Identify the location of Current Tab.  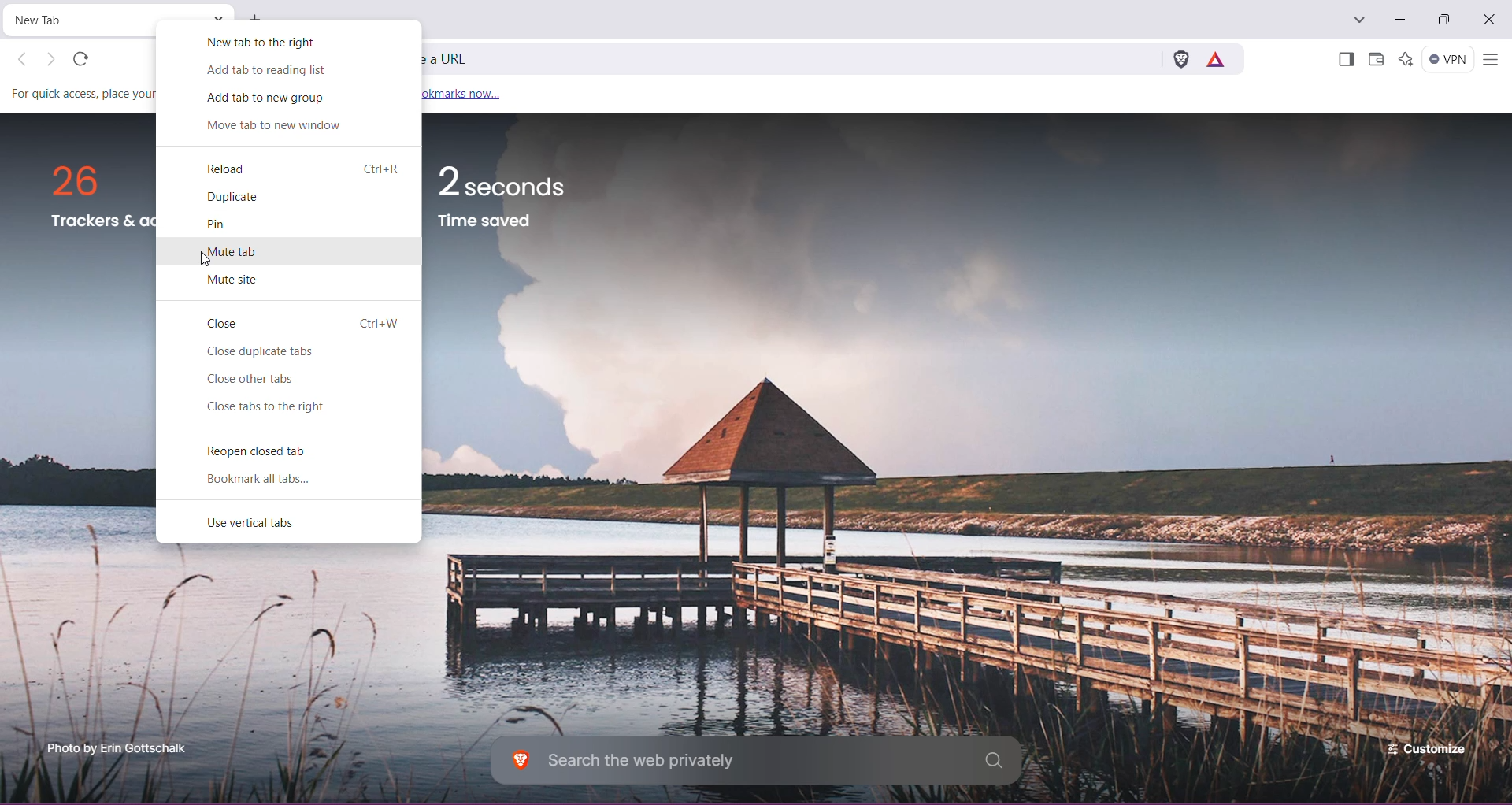
(63, 20).